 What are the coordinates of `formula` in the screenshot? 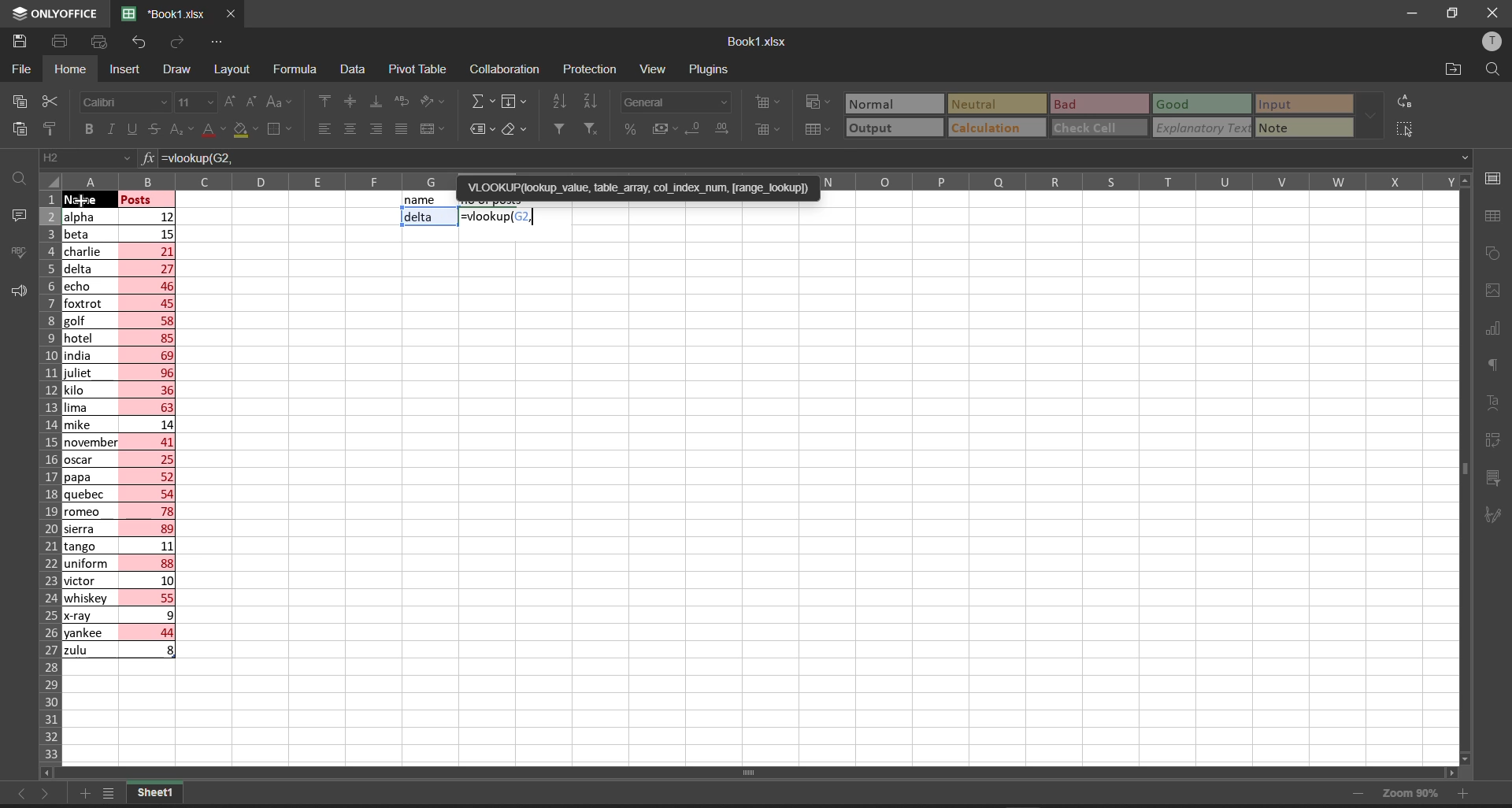 It's located at (298, 70).